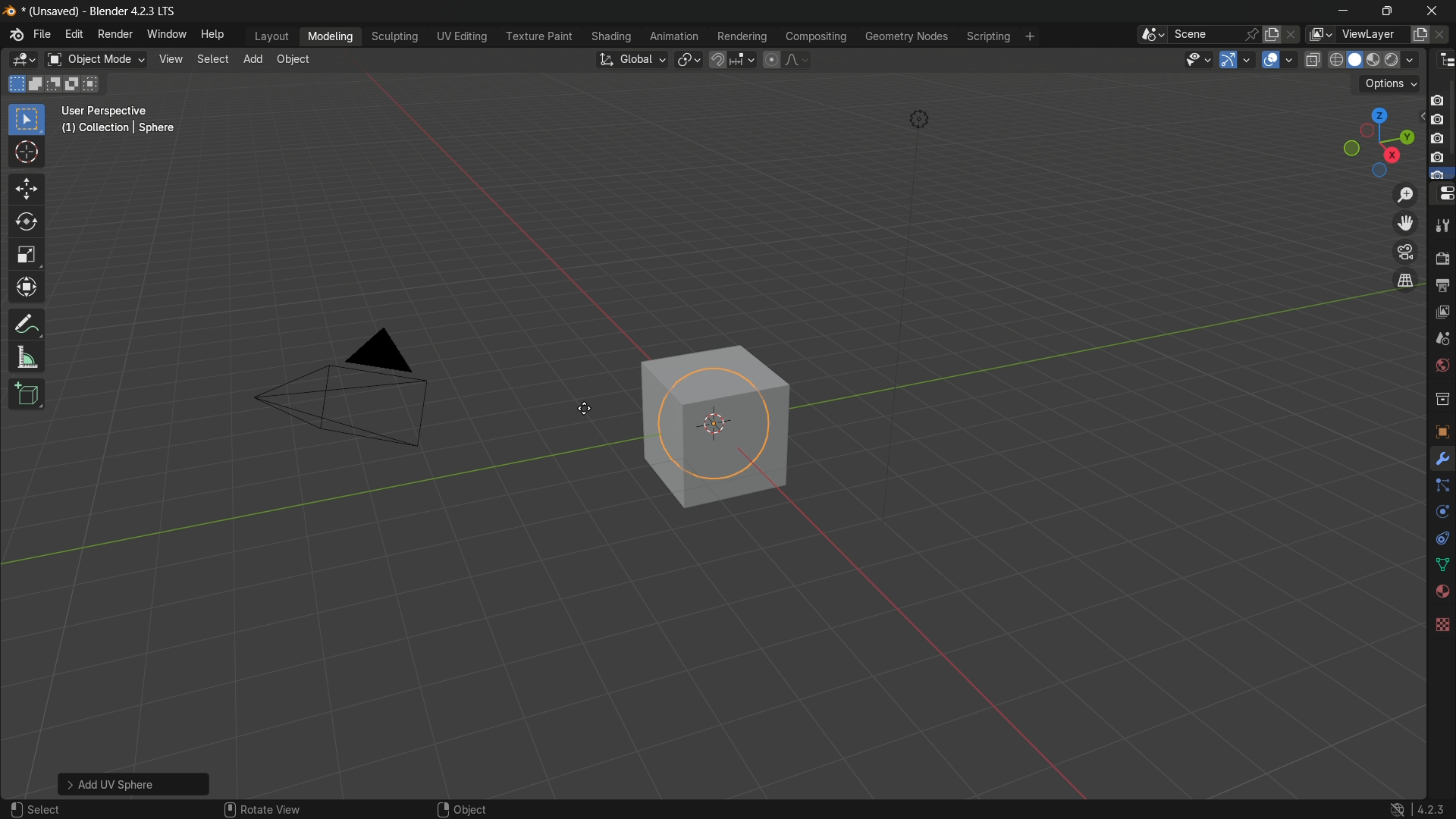 This screenshot has width=1456, height=819. I want to click on invert existing selection, so click(76, 83).